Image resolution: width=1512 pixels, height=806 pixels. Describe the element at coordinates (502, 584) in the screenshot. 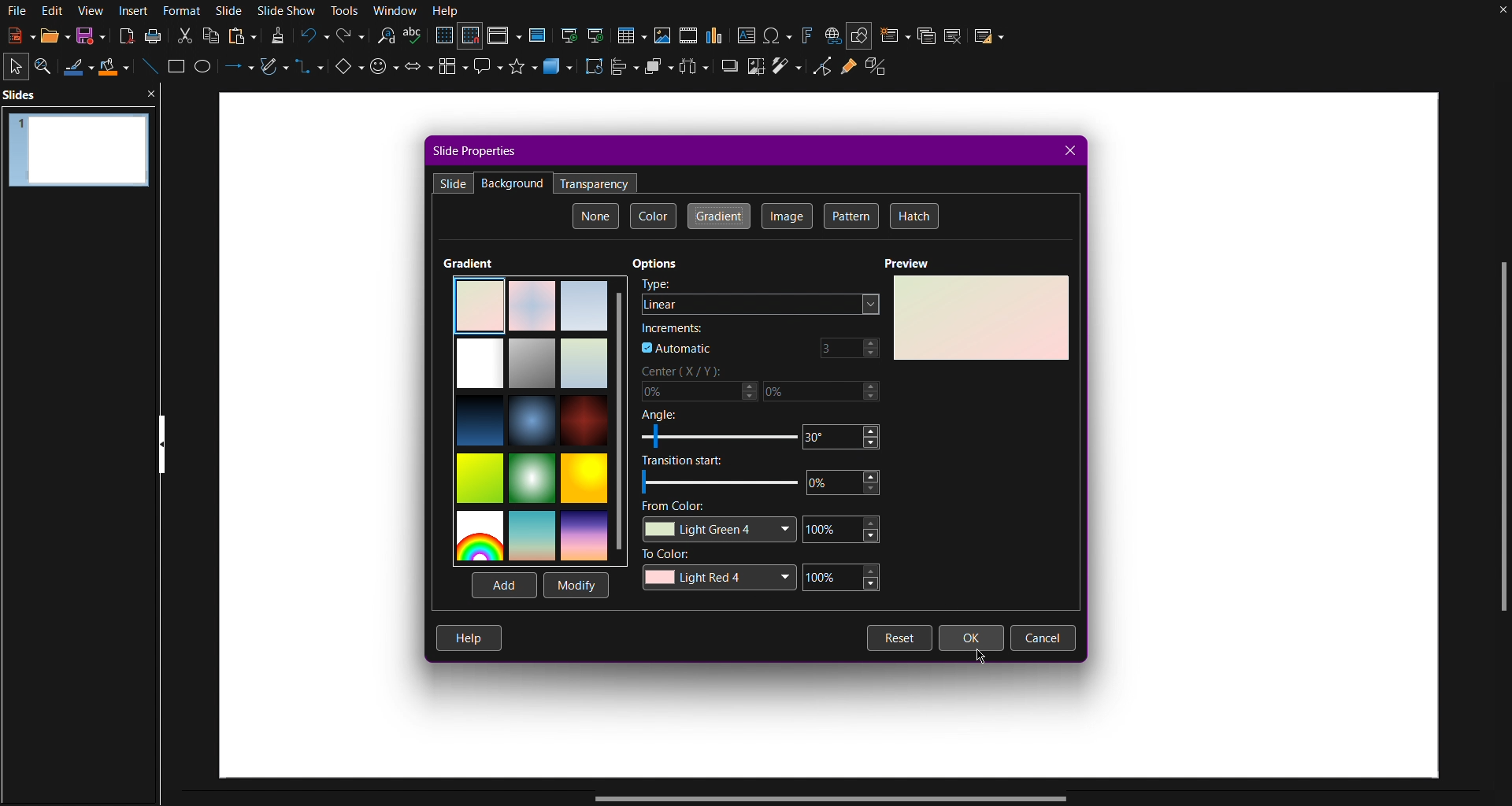

I see `Add` at that location.